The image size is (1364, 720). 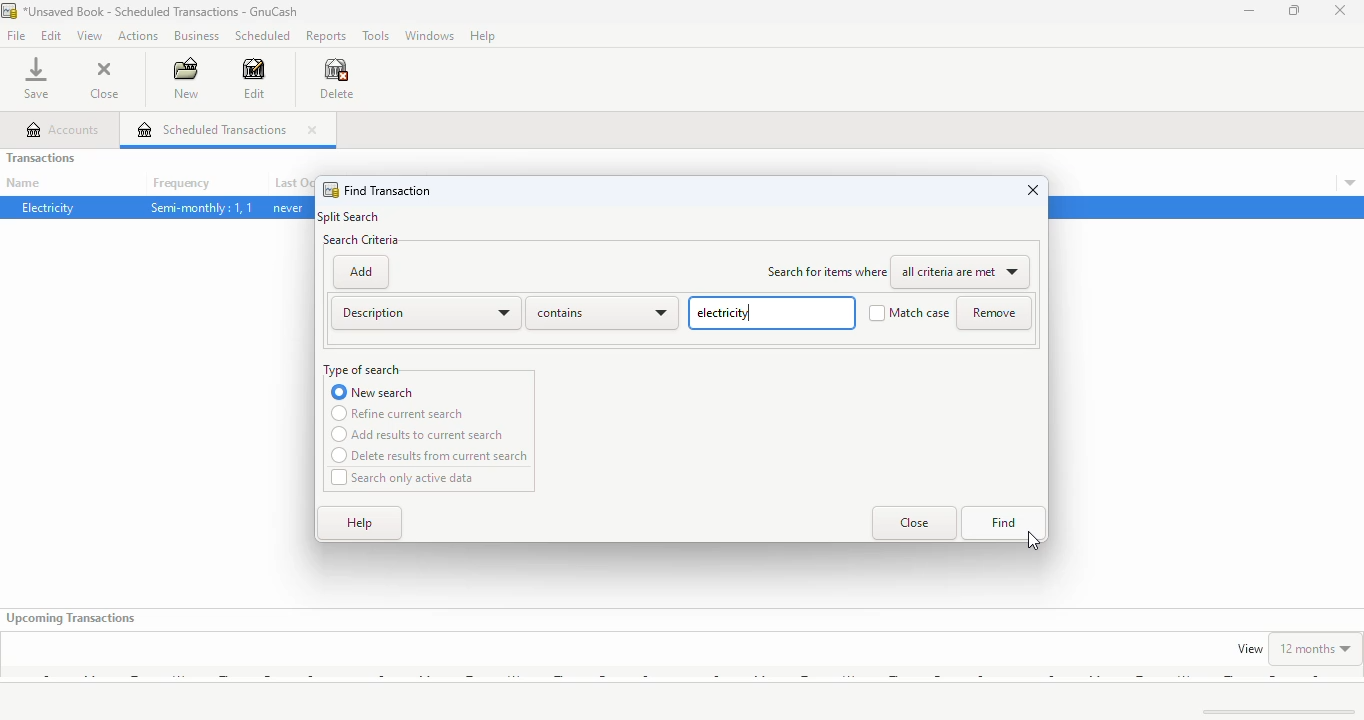 I want to click on close, so click(x=914, y=522).